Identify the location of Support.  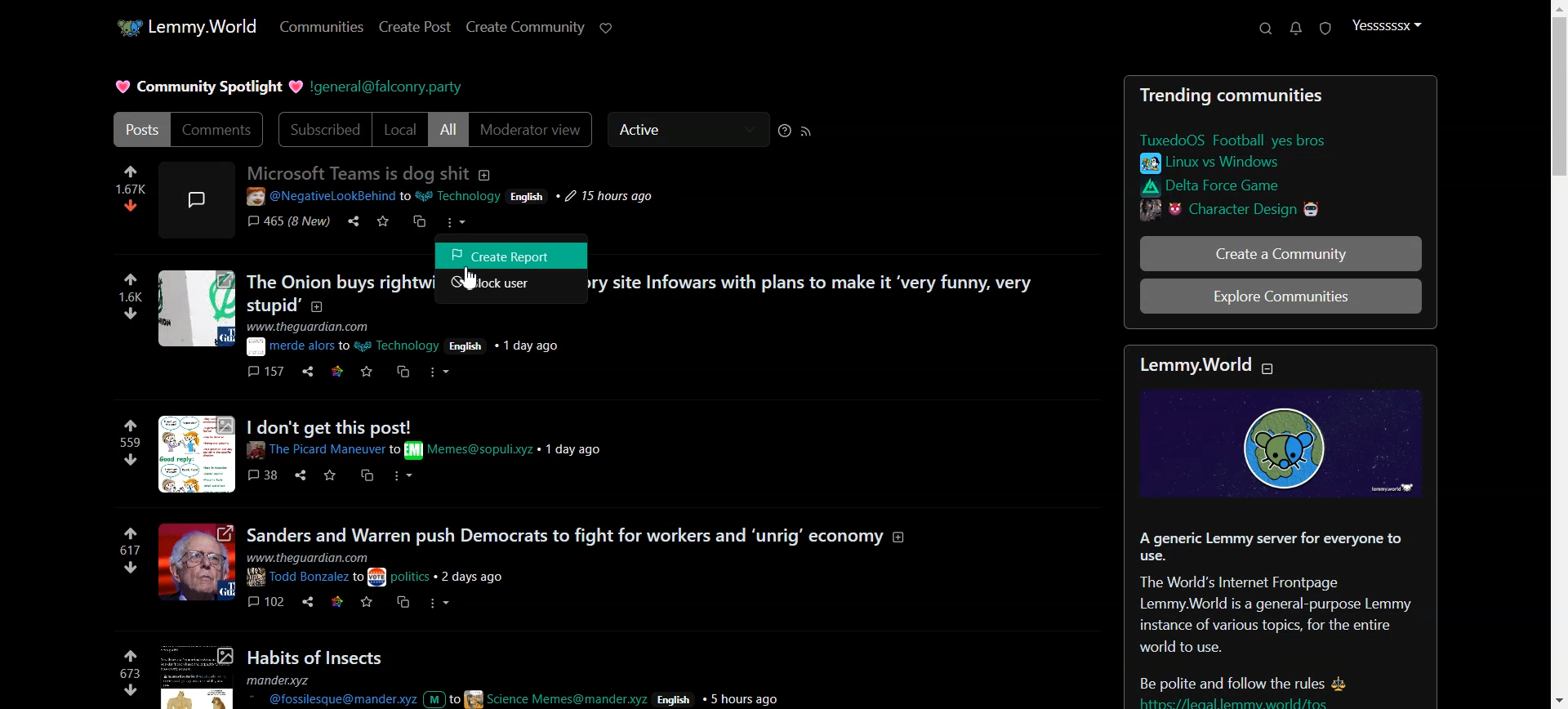
(1264, 29).